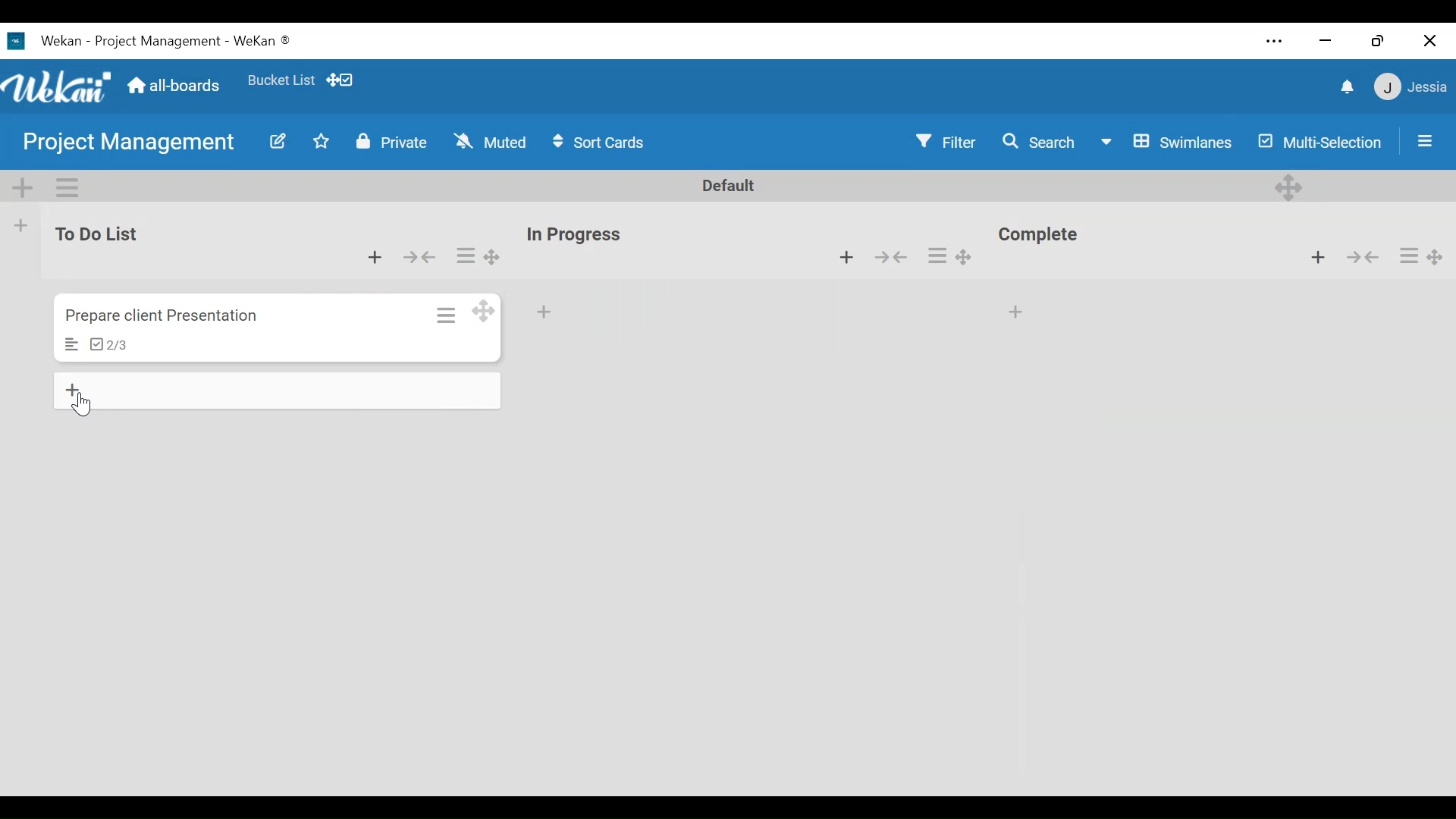  I want to click on Card Title, so click(165, 316).